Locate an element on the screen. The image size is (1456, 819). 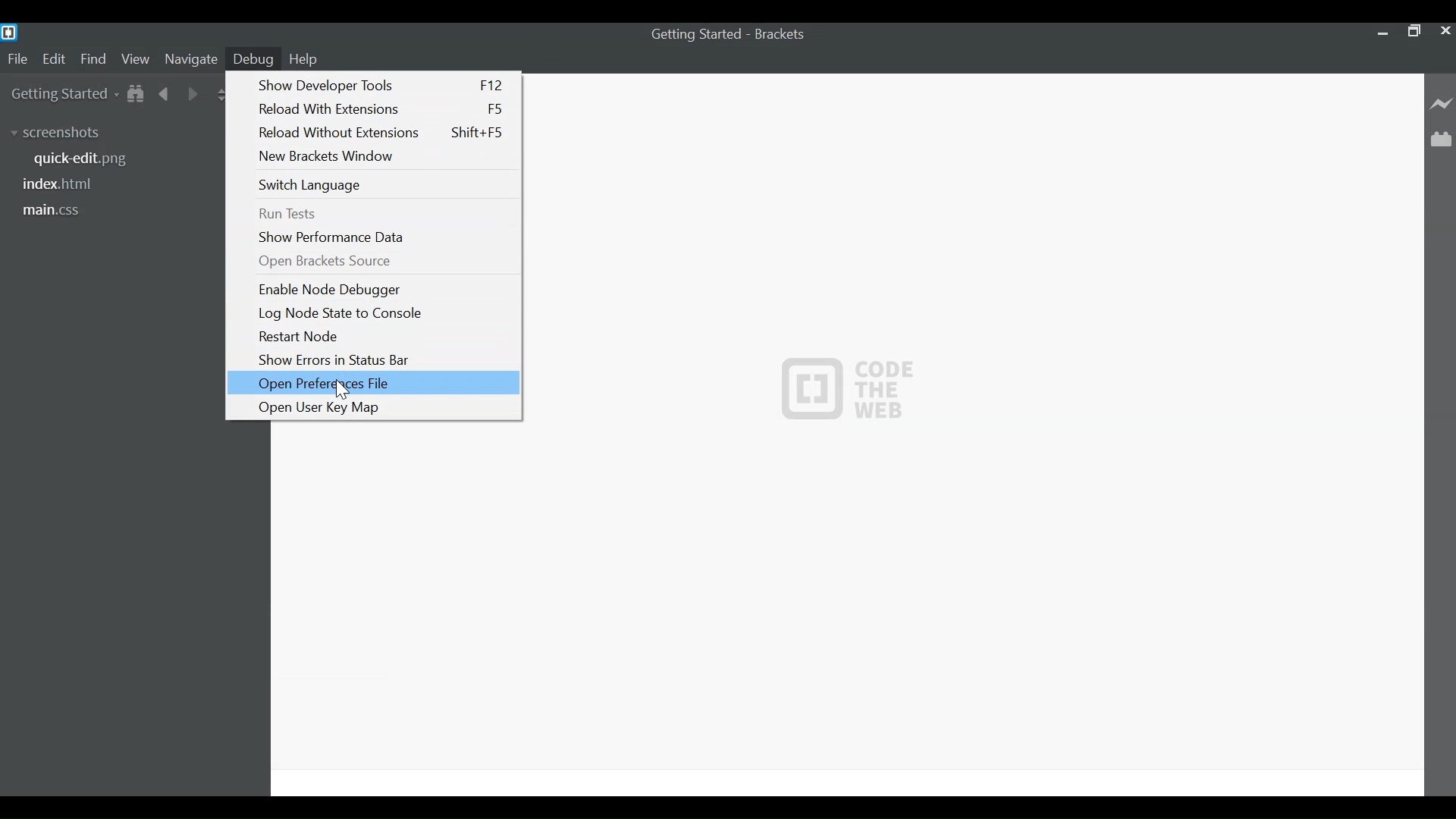
index.html is located at coordinates (60, 184).